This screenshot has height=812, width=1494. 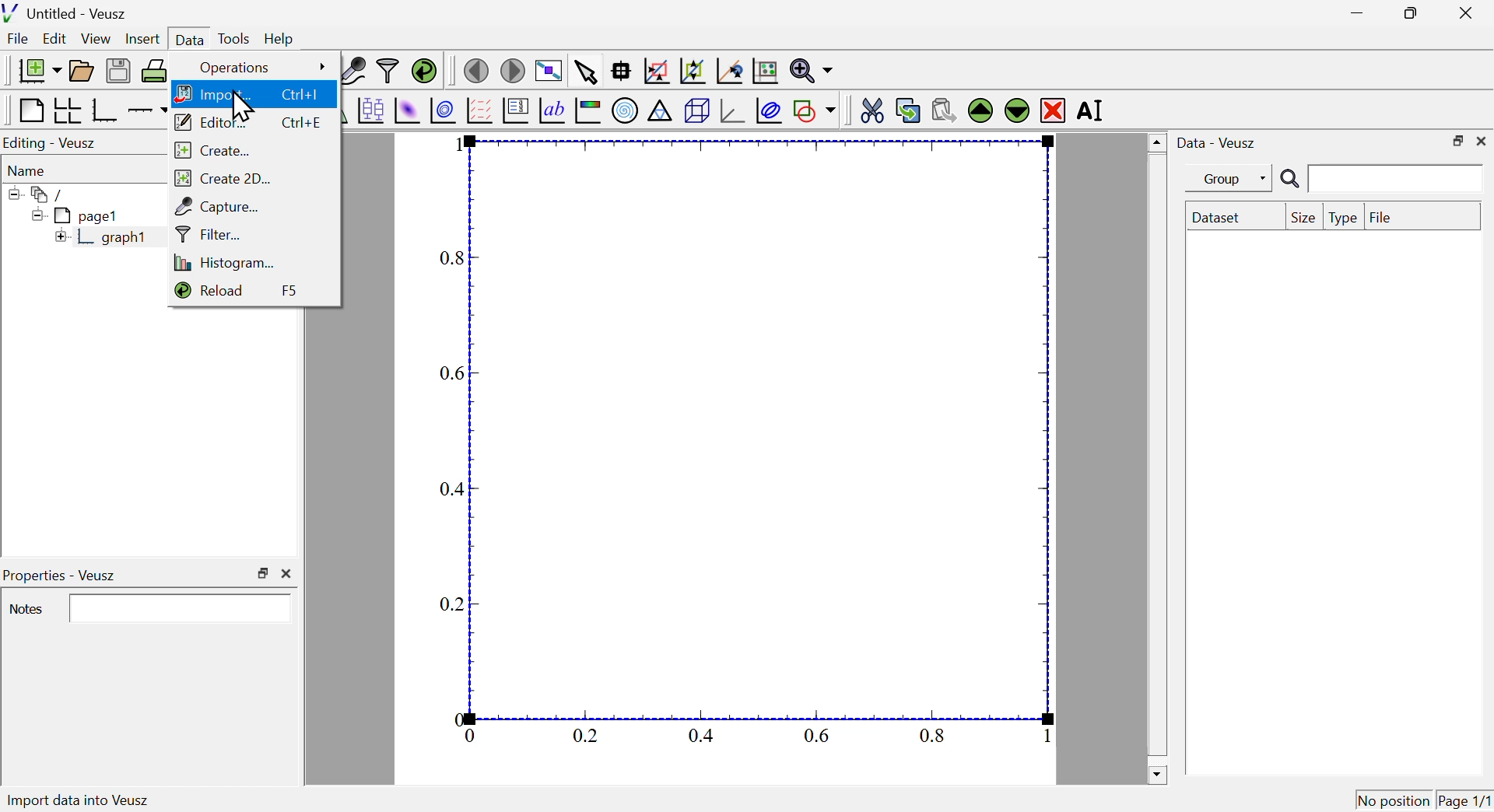 I want to click on size, so click(x=1301, y=217).